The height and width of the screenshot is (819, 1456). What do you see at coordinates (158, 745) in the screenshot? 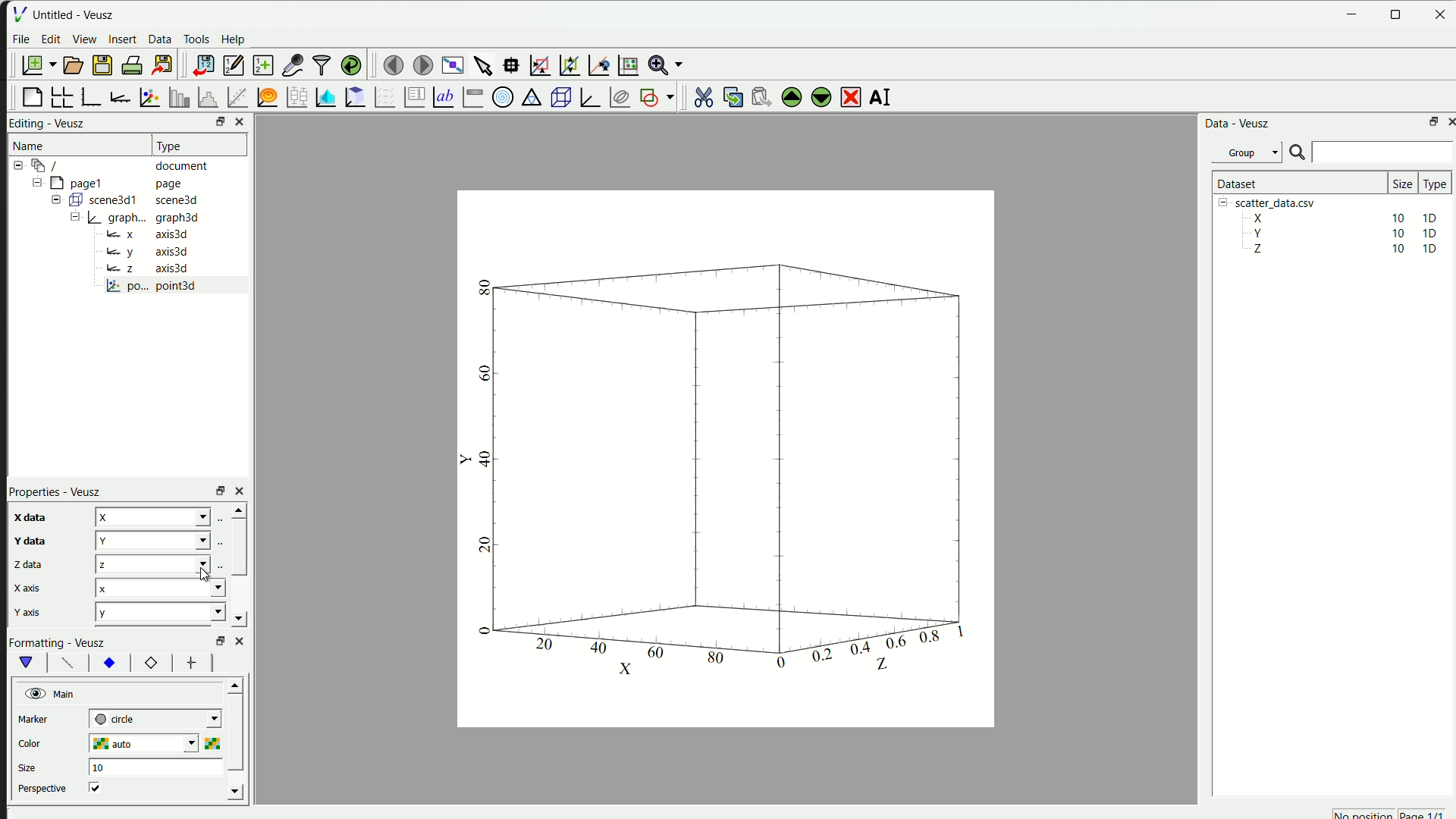
I see `auto` at bounding box center [158, 745].